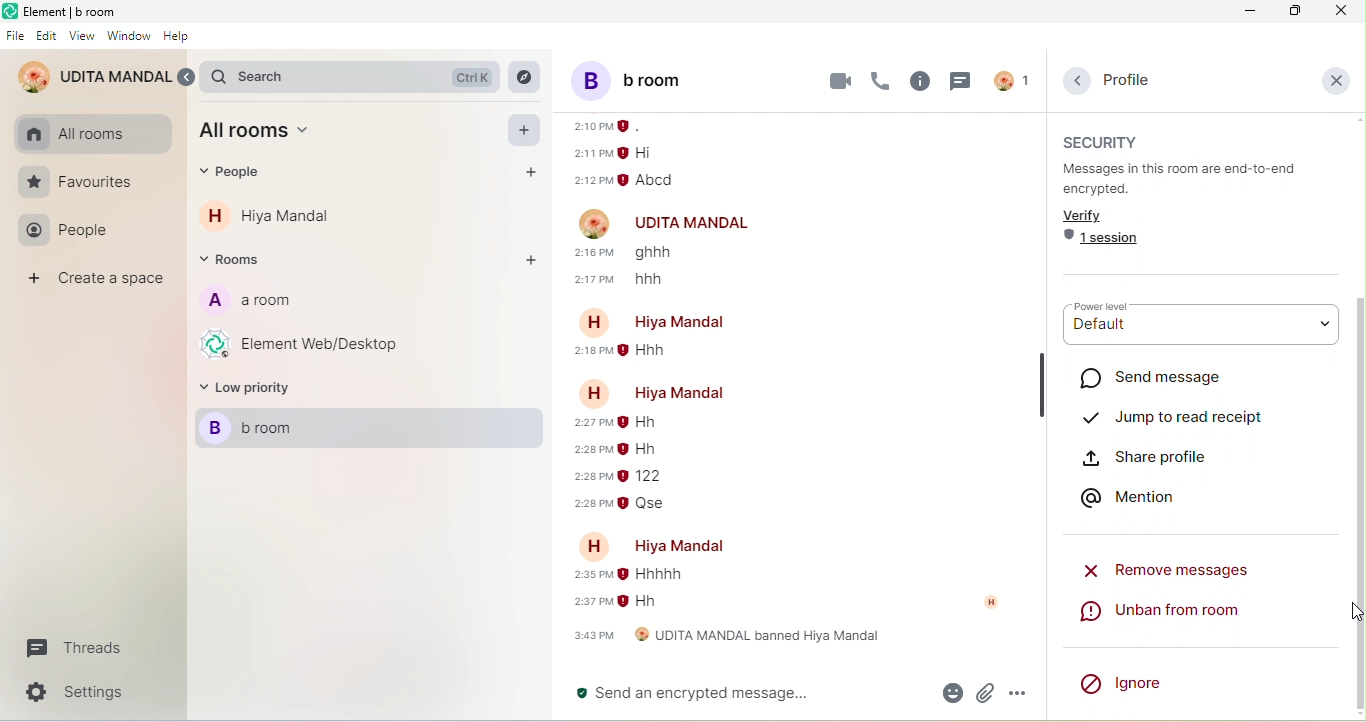  I want to click on default, so click(1199, 334).